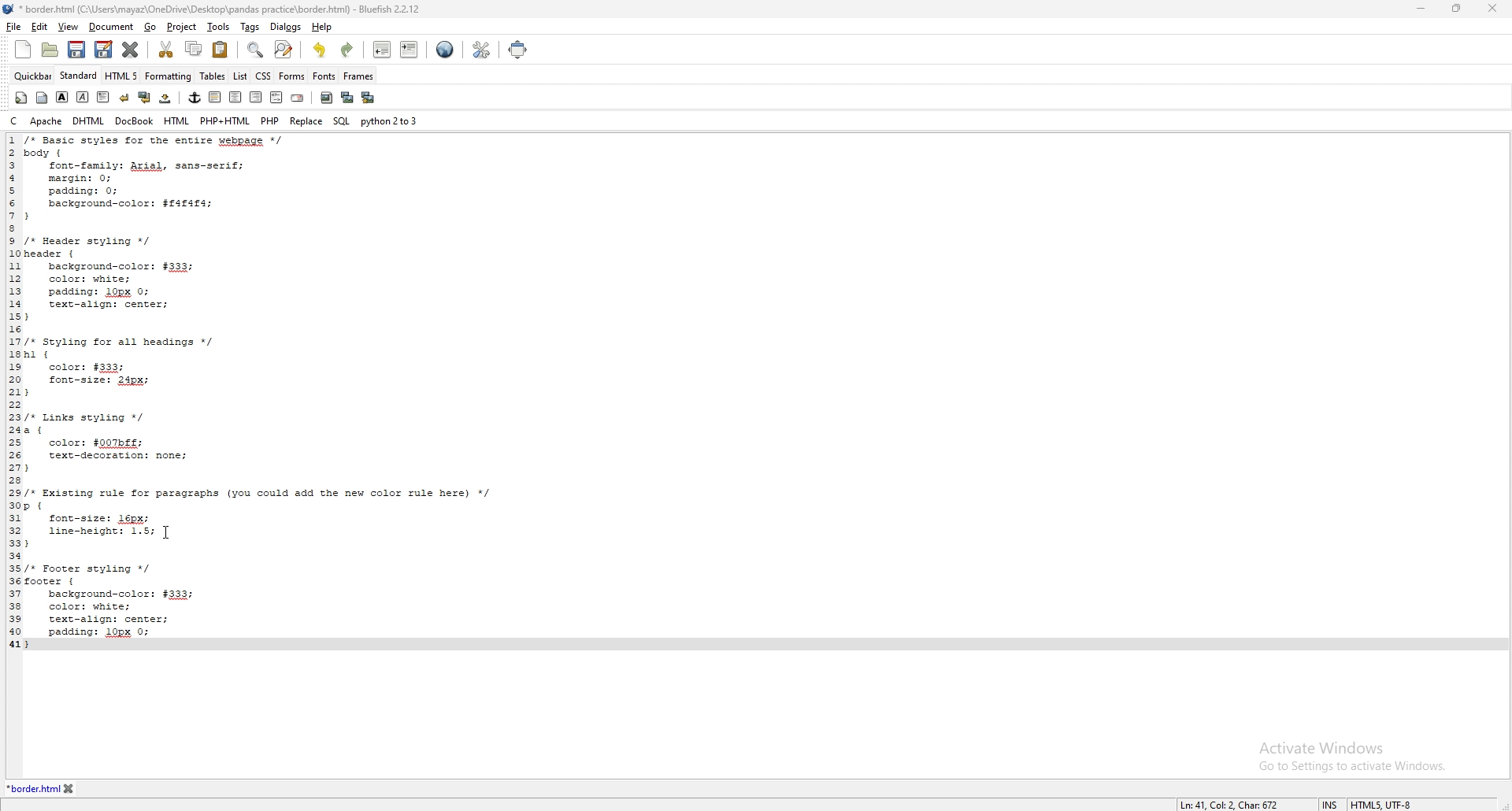 This screenshot has width=1512, height=811. I want to click on save, so click(77, 50).